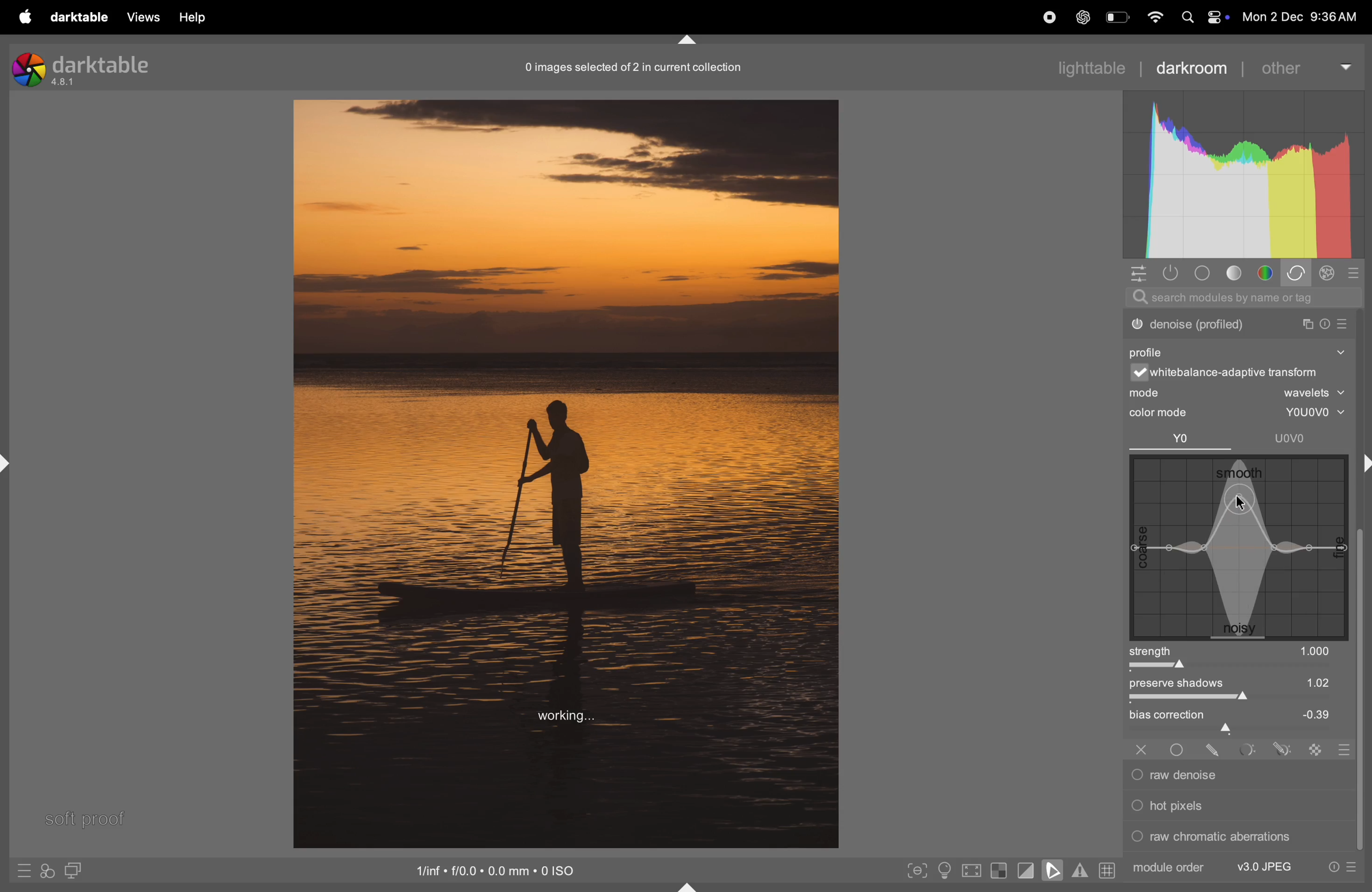 This screenshot has height=892, width=1372. What do you see at coordinates (1280, 749) in the screenshot?
I see `sign` at bounding box center [1280, 749].